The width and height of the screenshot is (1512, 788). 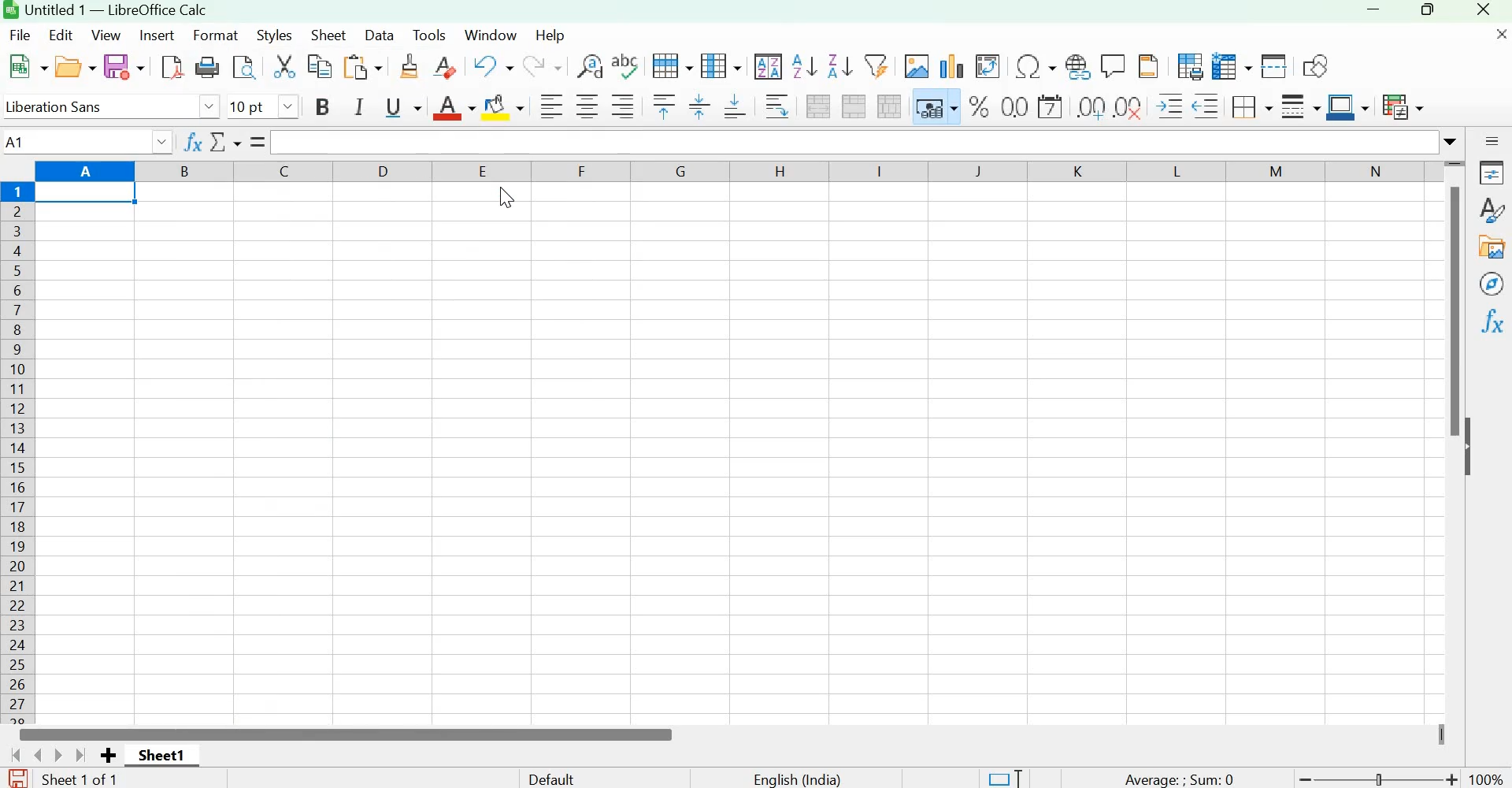 I want to click on Sheet 1 of 1, so click(x=91, y=779).